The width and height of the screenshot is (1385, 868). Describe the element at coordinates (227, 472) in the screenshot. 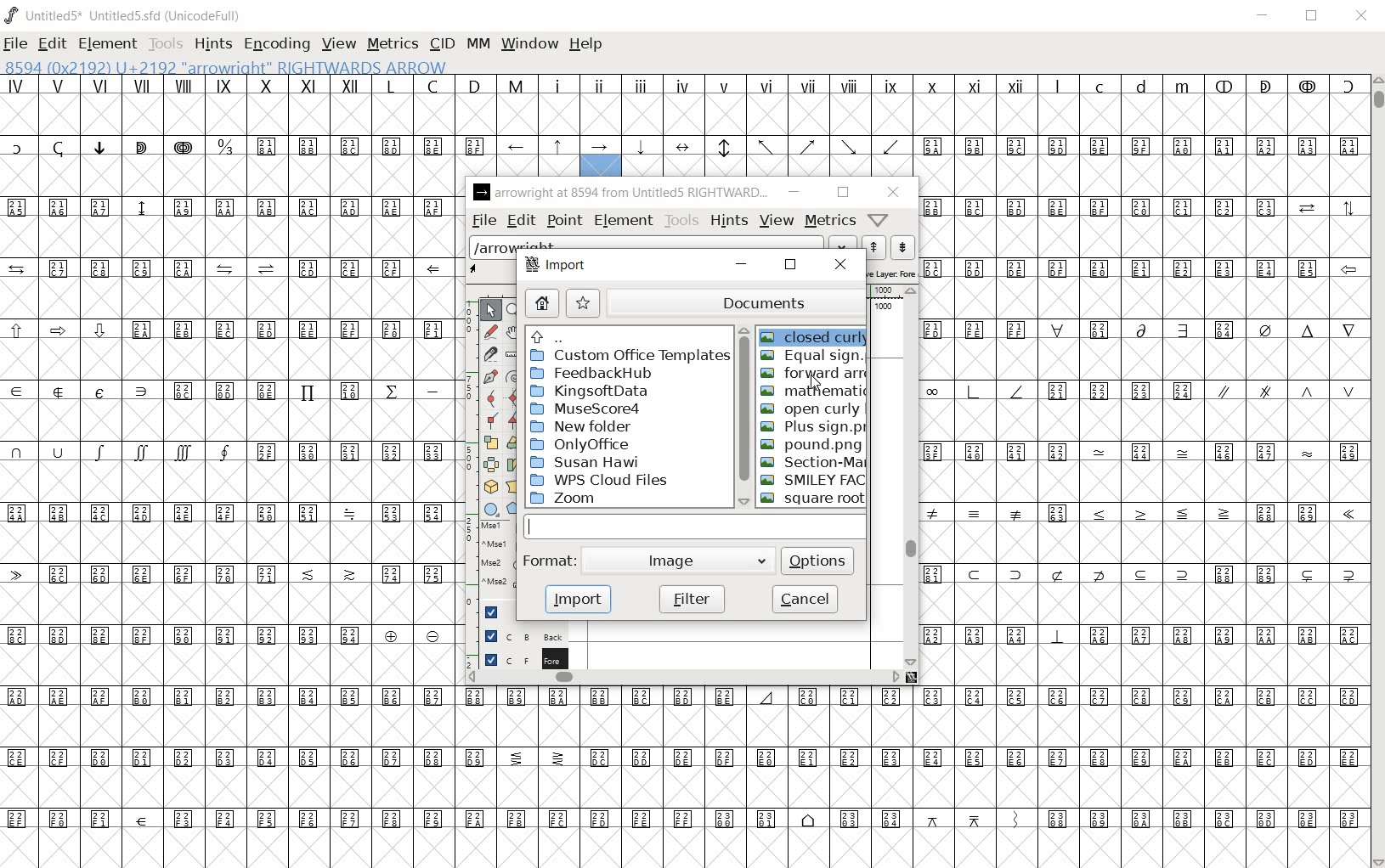

I see `glyph characters` at that location.